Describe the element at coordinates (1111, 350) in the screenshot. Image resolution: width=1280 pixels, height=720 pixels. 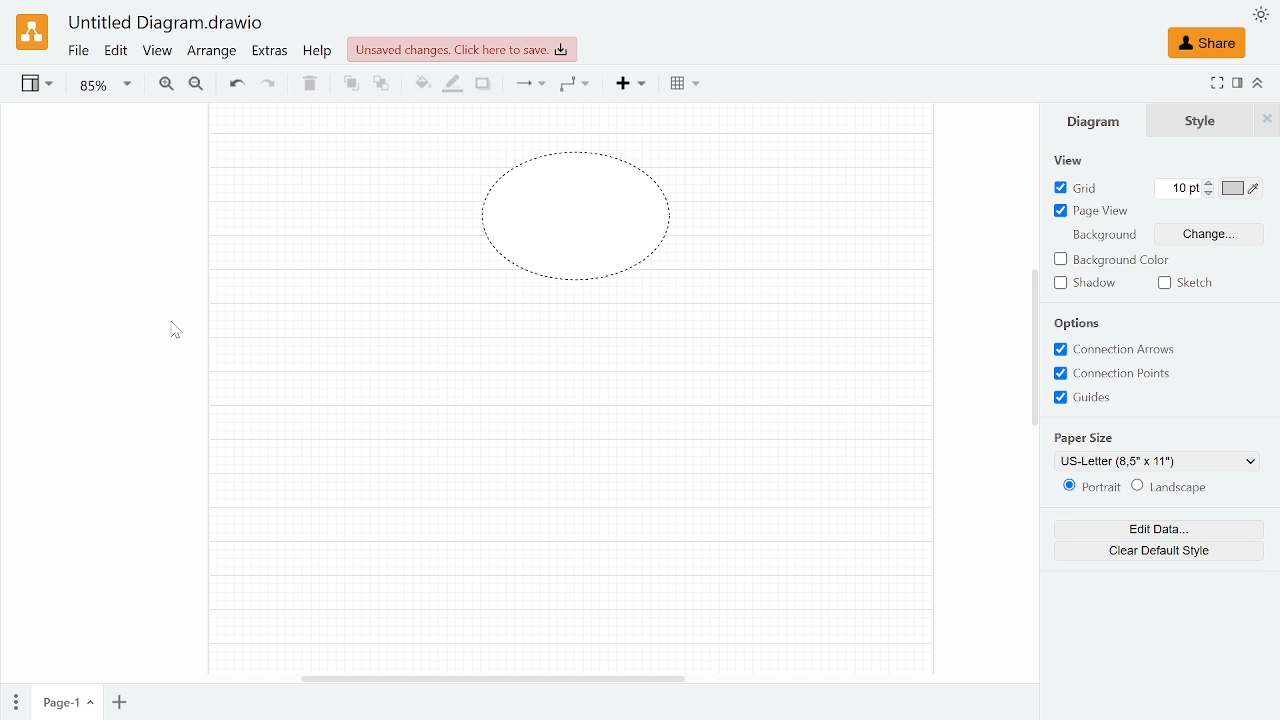
I see `Connection arrows` at that location.